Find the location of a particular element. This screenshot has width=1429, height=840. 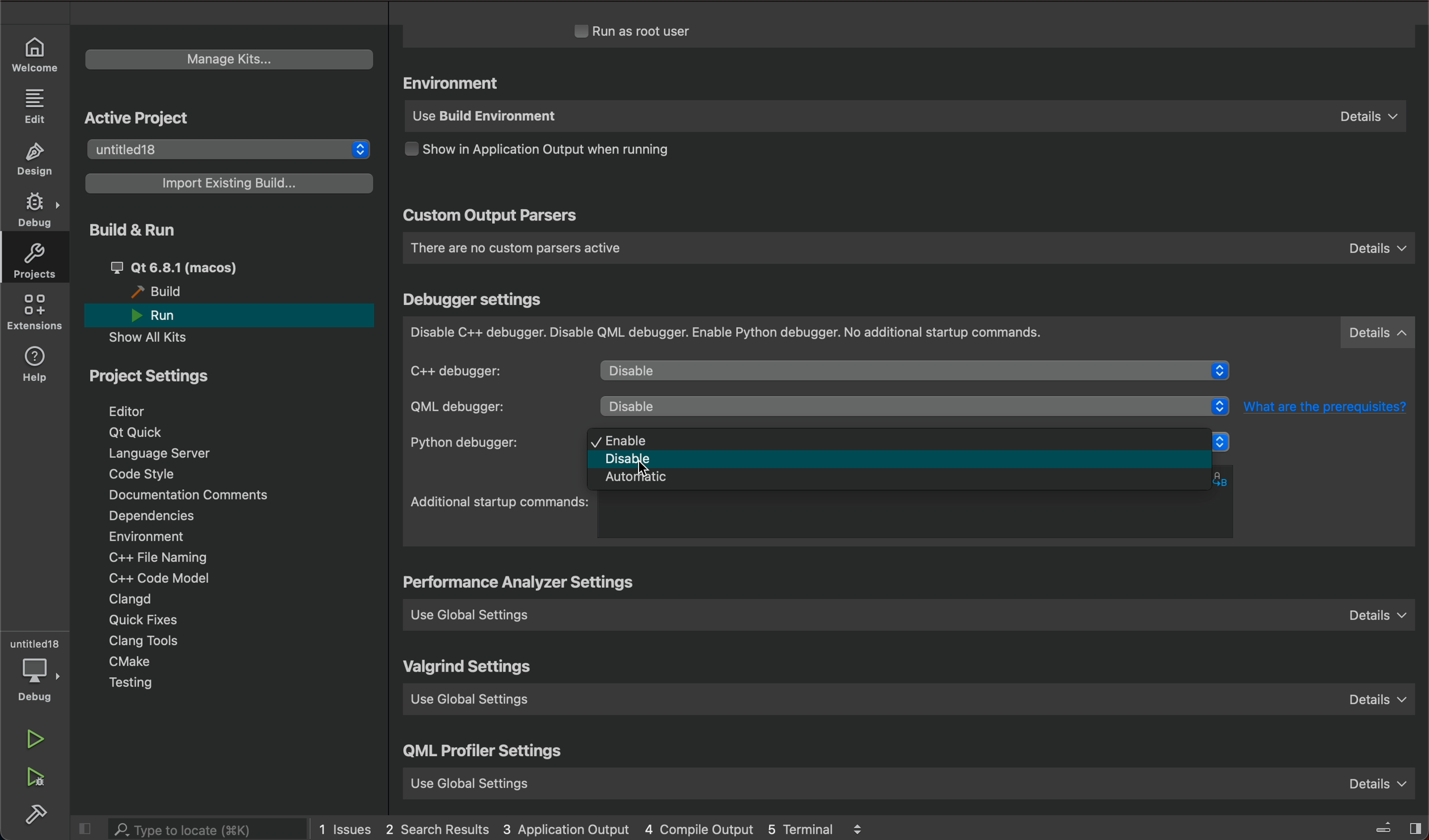

logs is located at coordinates (610, 828).